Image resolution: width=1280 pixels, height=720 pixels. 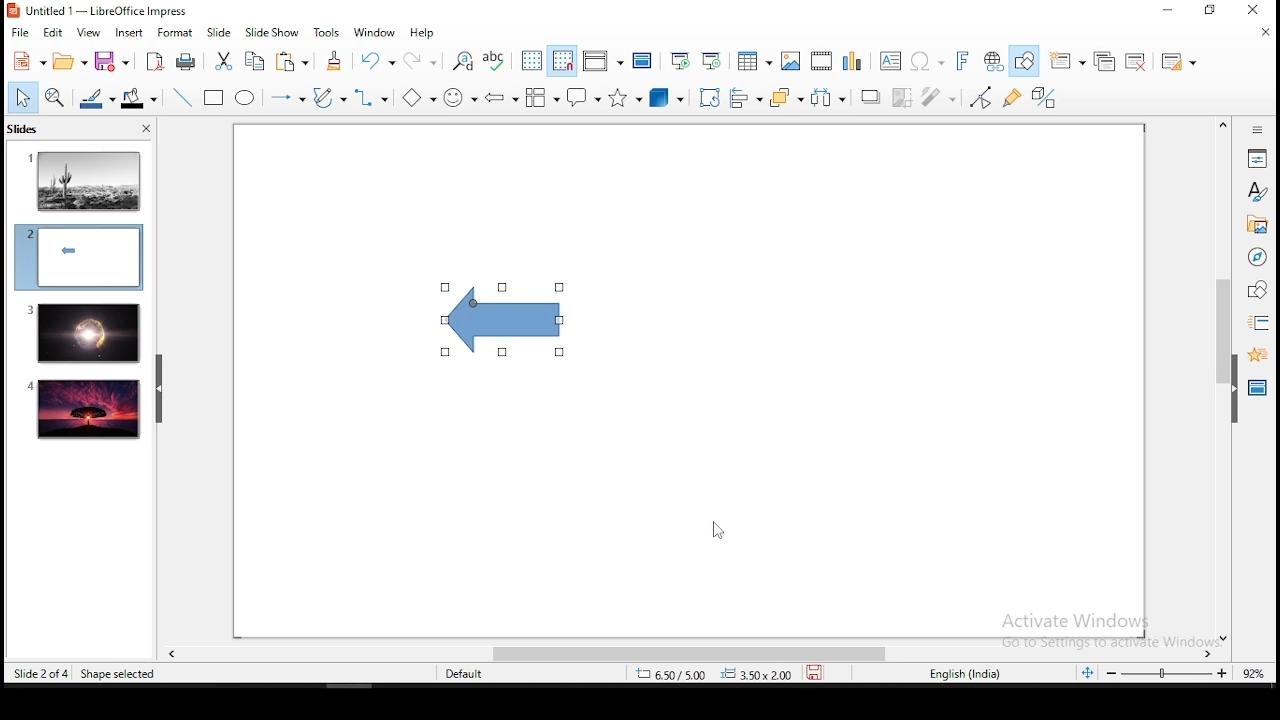 I want to click on curves and polygons, so click(x=328, y=98).